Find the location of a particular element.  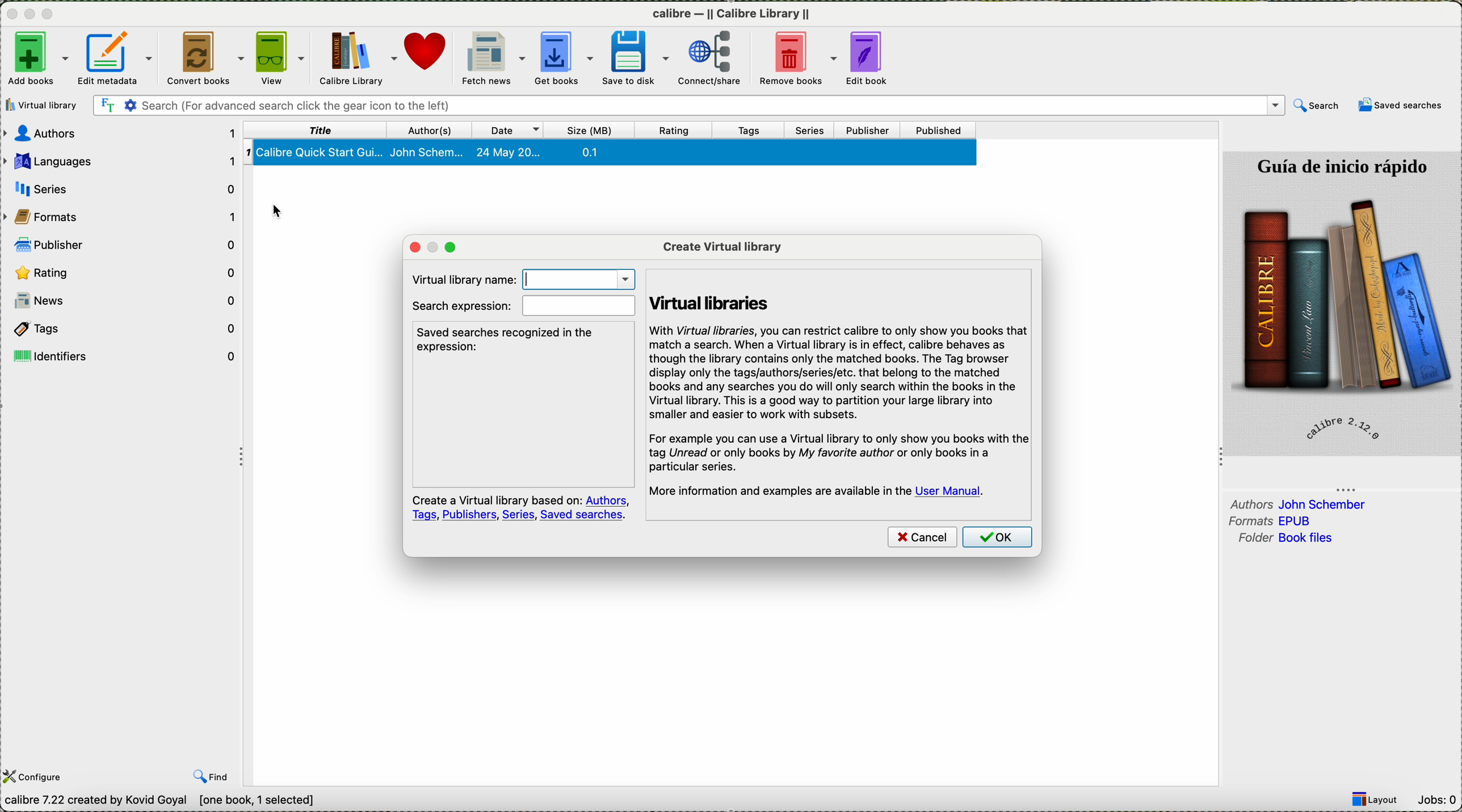

fletch news is located at coordinates (491, 58).